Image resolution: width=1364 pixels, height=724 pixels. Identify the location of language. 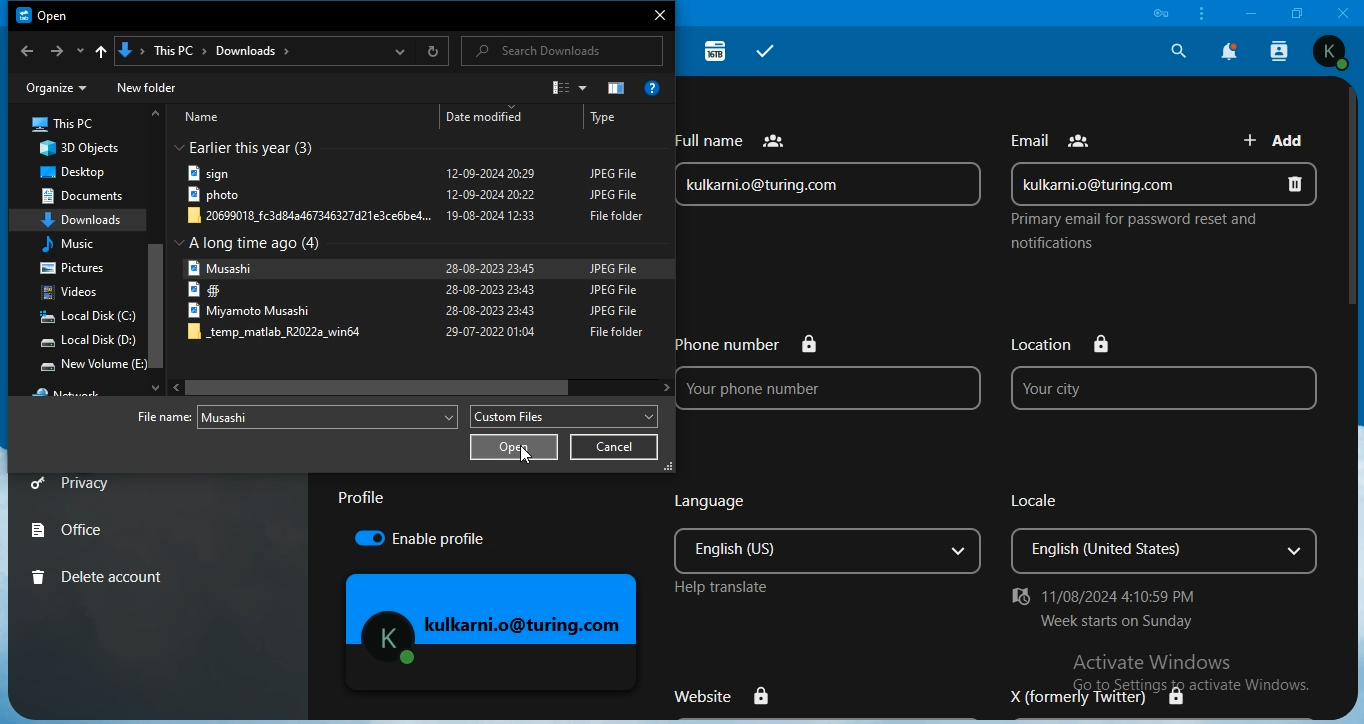
(826, 542).